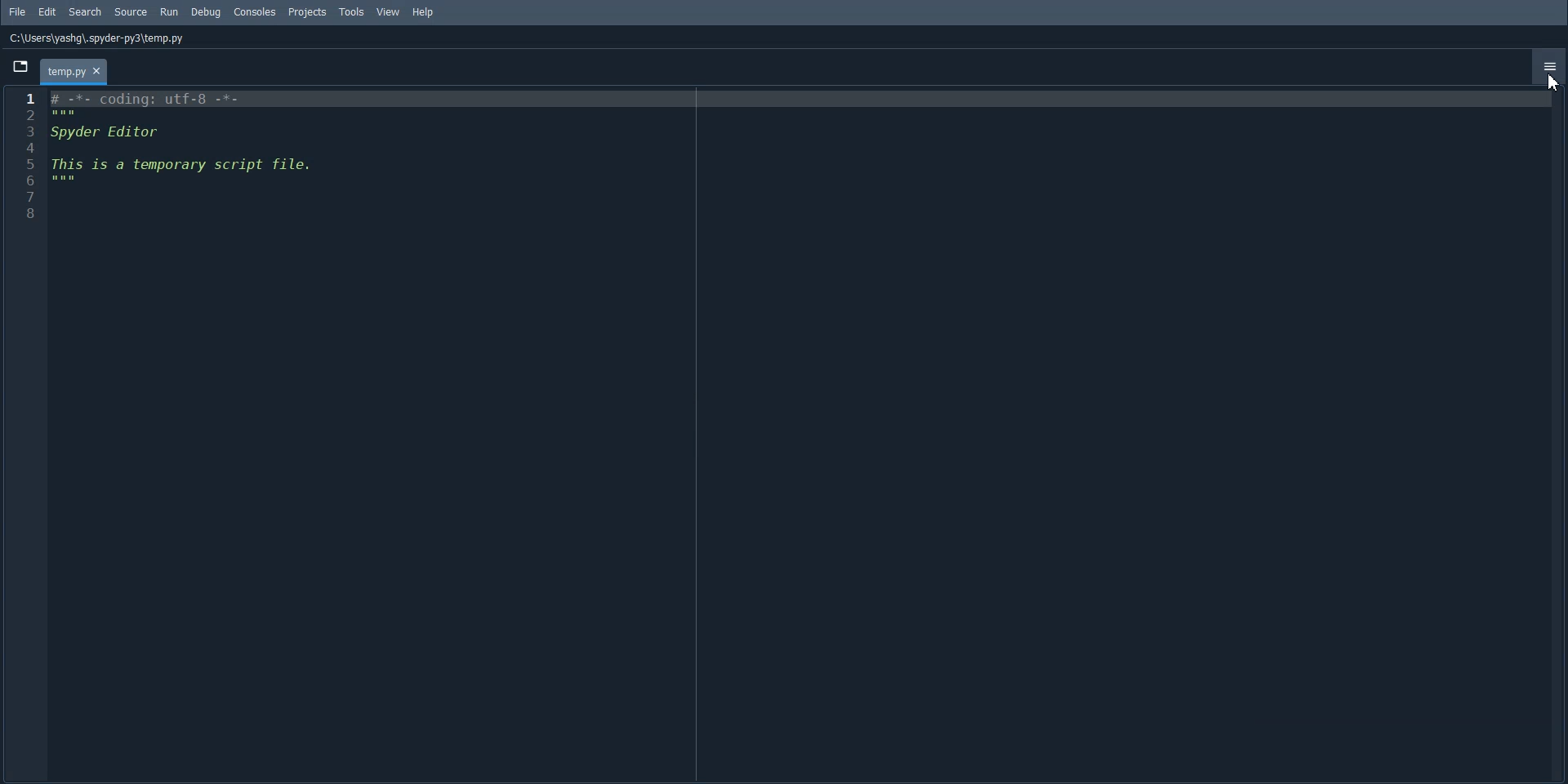  I want to click on Option, so click(1549, 66).